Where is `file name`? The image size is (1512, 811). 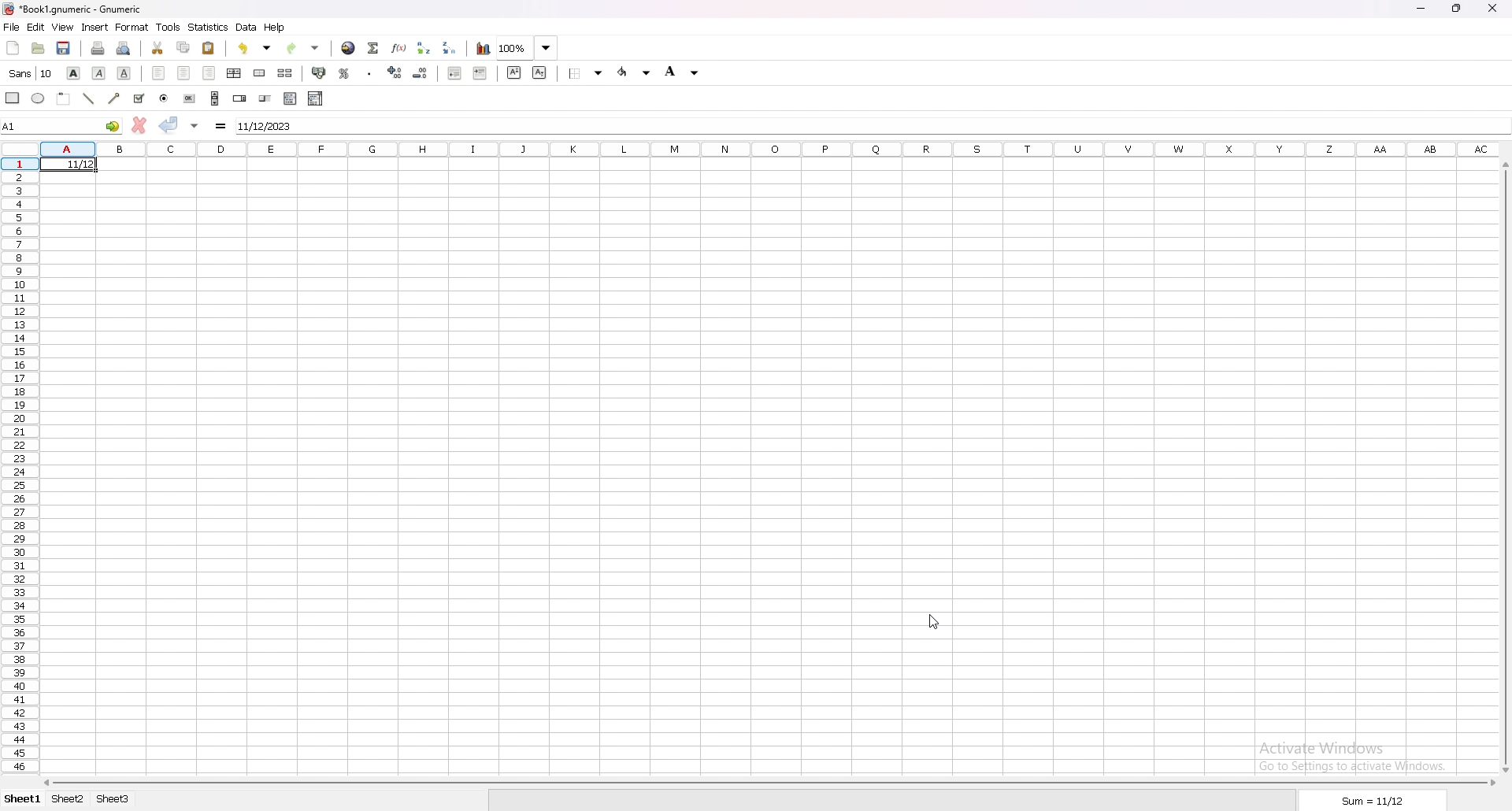 file name is located at coordinates (74, 10).